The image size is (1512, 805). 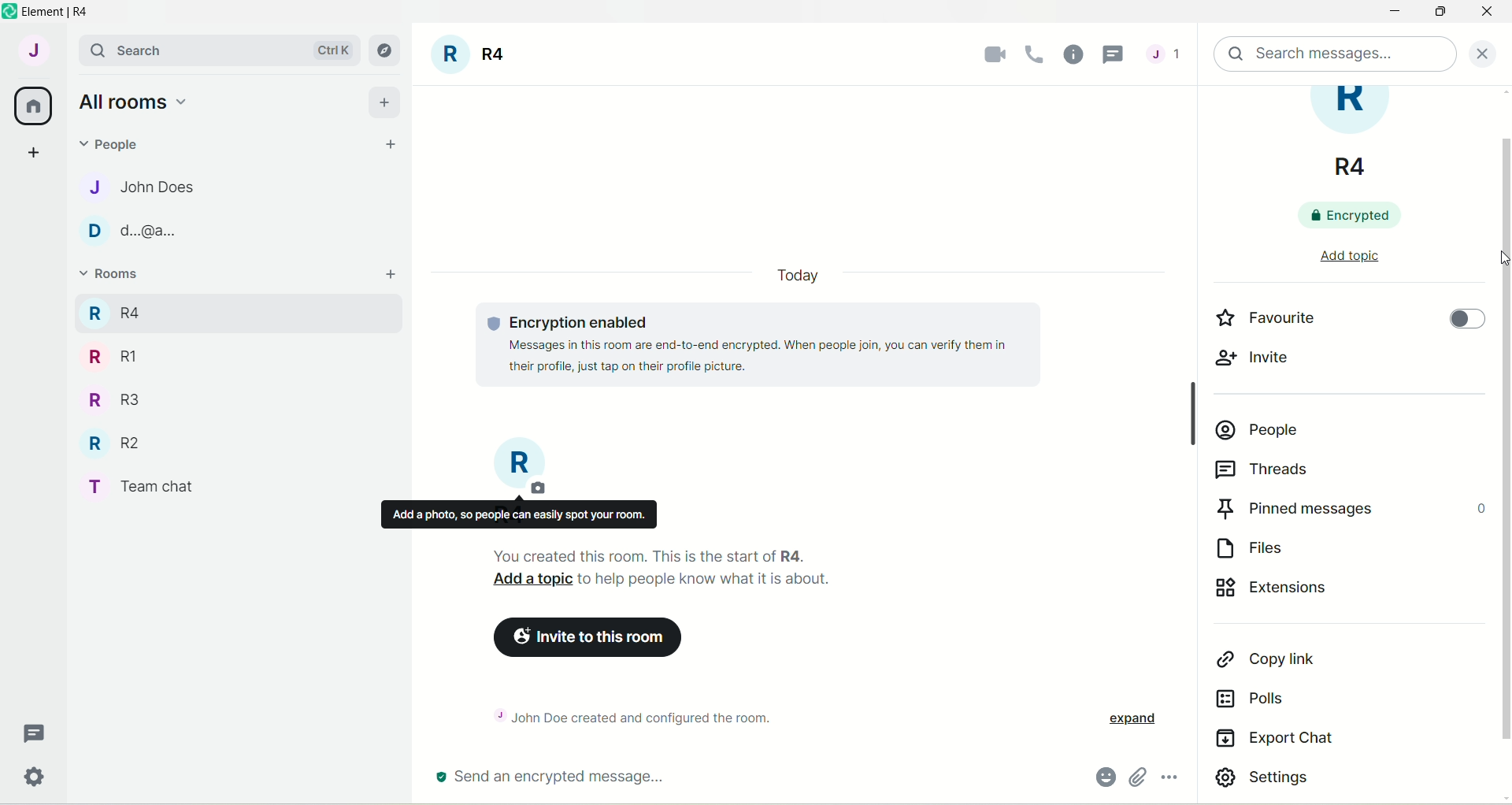 What do you see at coordinates (1499, 261) in the screenshot?
I see `cursor` at bounding box center [1499, 261].